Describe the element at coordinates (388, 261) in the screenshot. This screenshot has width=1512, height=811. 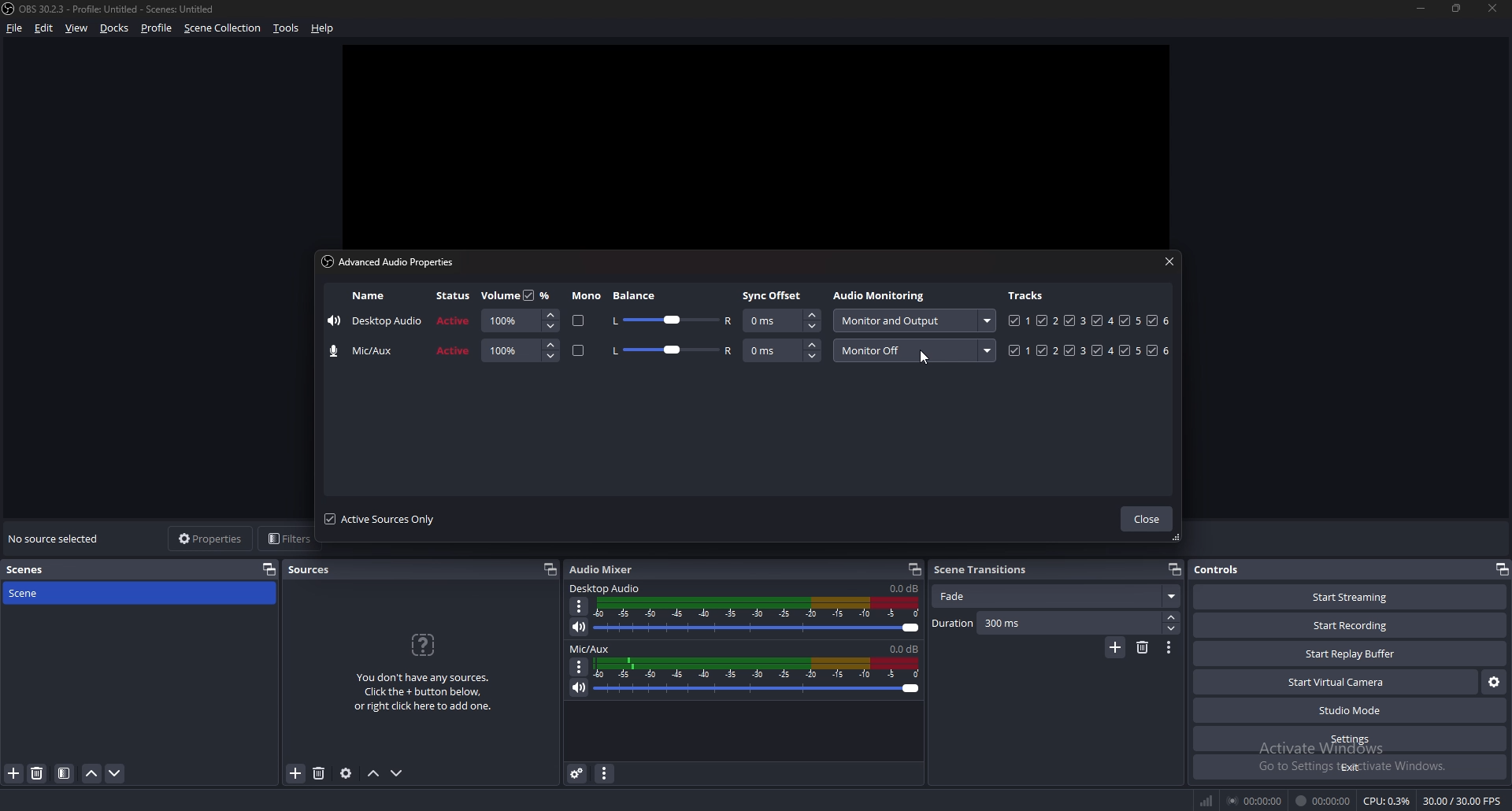
I see `advanced audio properties` at that location.